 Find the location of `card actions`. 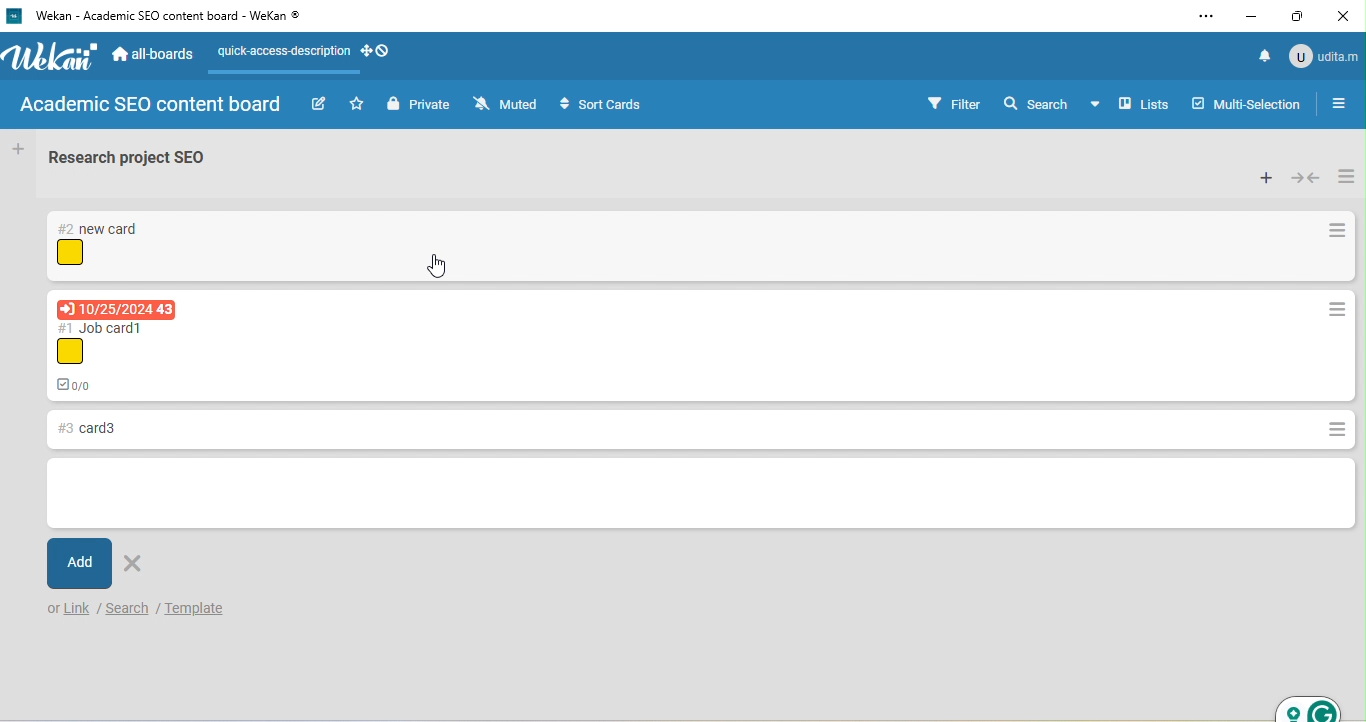

card actions is located at coordinates (1330, 430).